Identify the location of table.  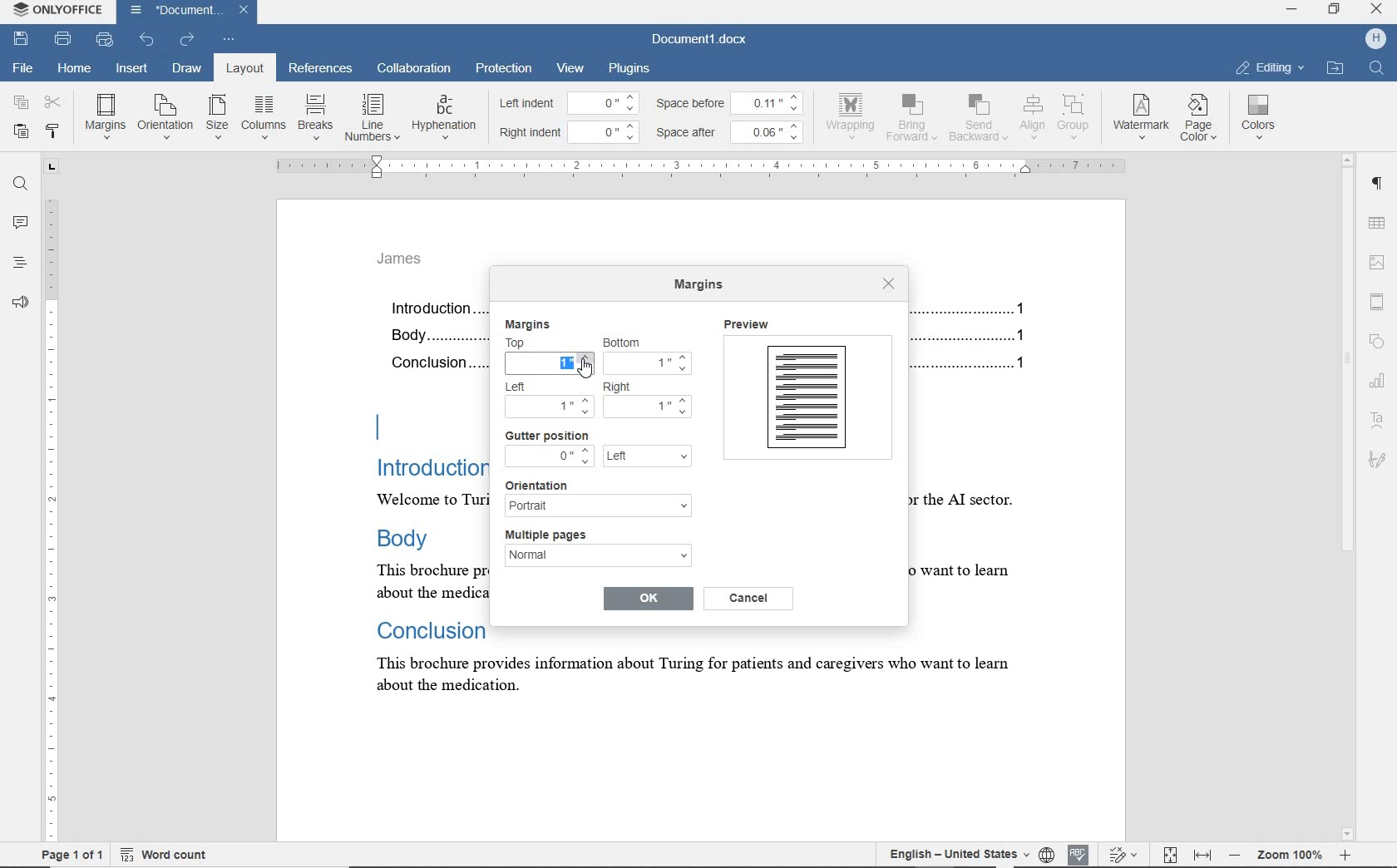
(1380, 224).